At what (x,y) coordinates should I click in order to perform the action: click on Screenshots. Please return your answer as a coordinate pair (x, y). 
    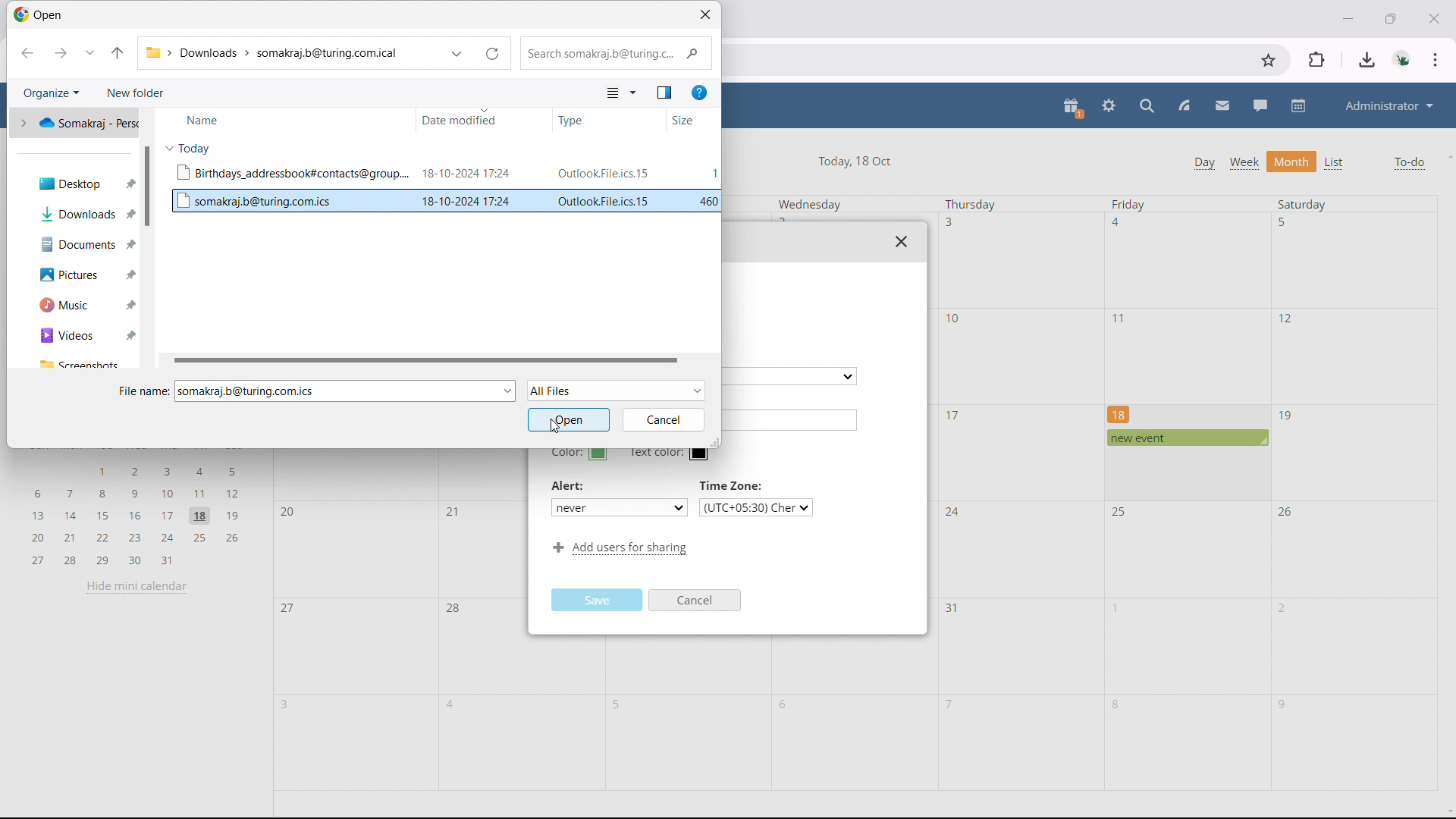
    Looking at the image, I should click on (80, 363).